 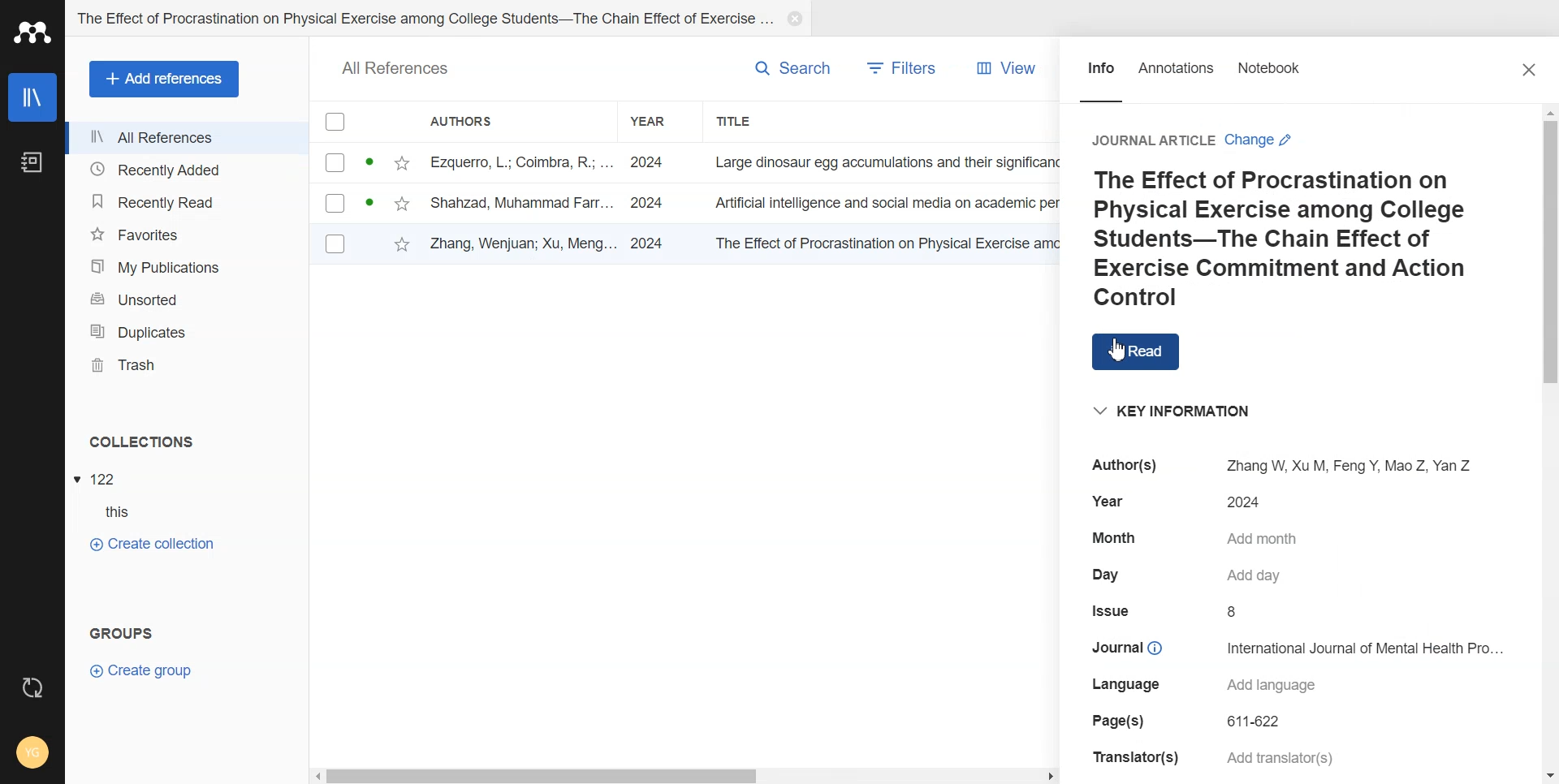 I want to click on Recently Read, so click(x=190, y=200).